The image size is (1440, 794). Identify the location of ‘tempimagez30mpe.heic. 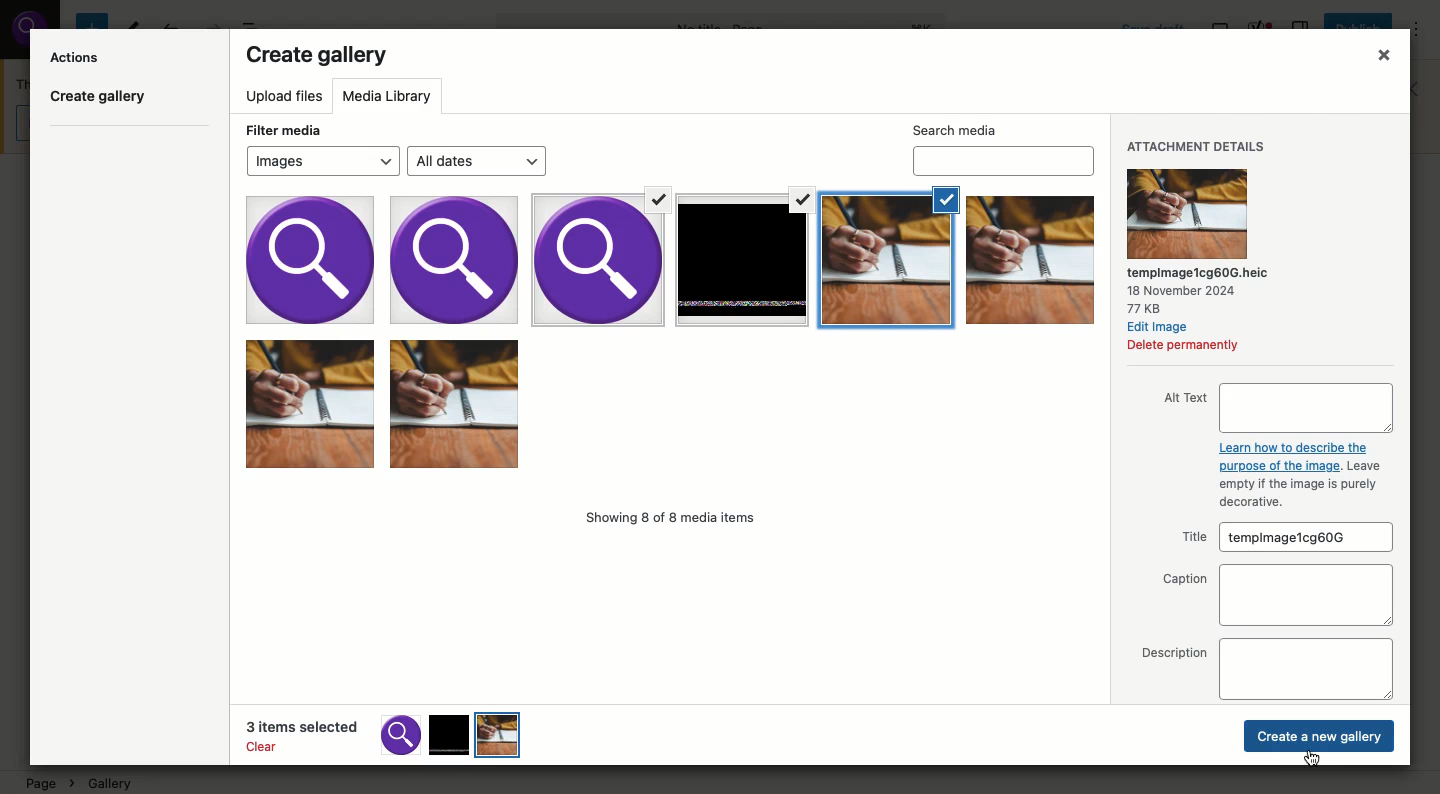
(1206, 272).